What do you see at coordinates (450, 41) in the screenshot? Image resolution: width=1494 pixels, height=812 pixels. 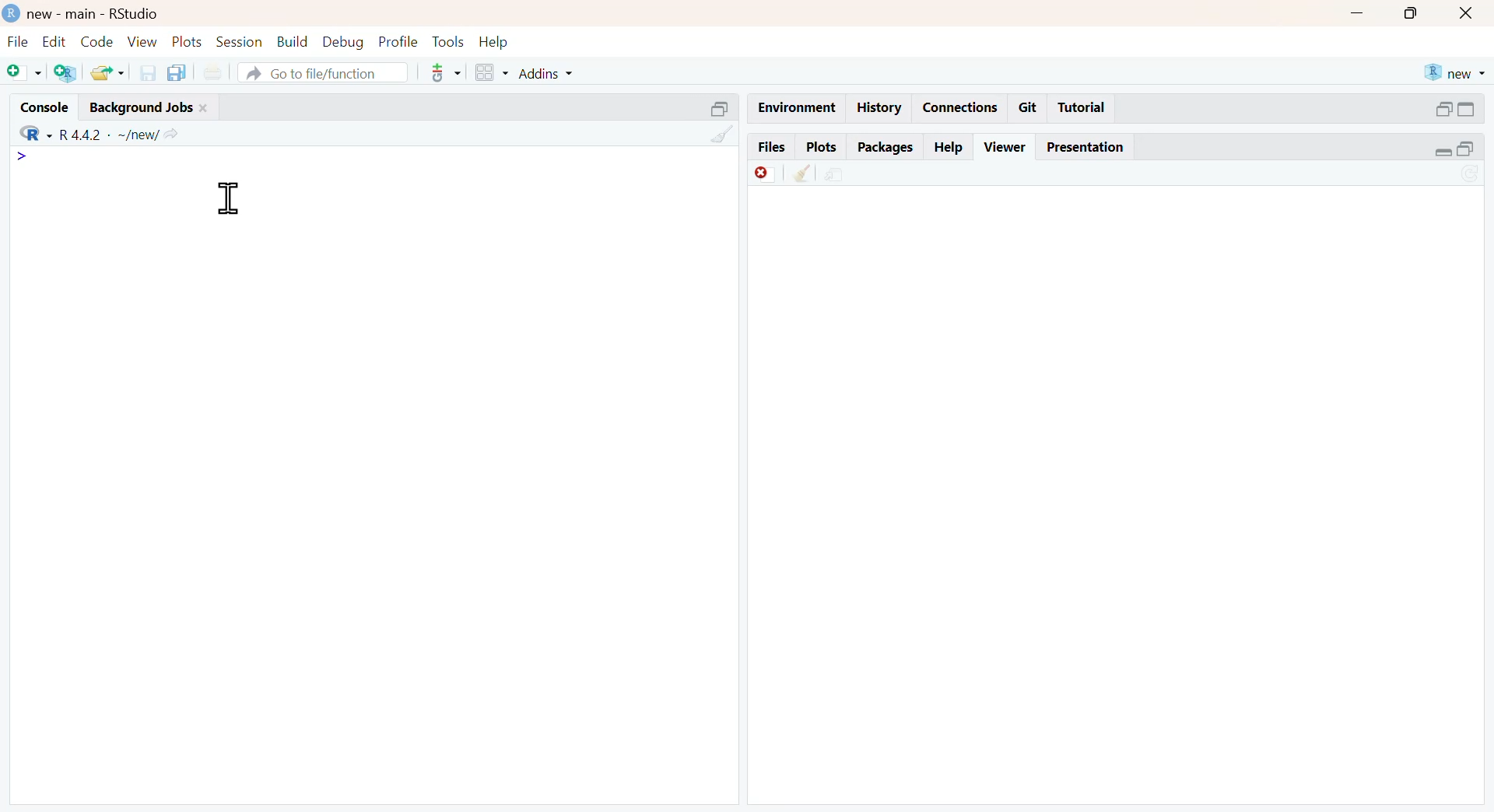 I see `tools` at bounding box center [450, 41].